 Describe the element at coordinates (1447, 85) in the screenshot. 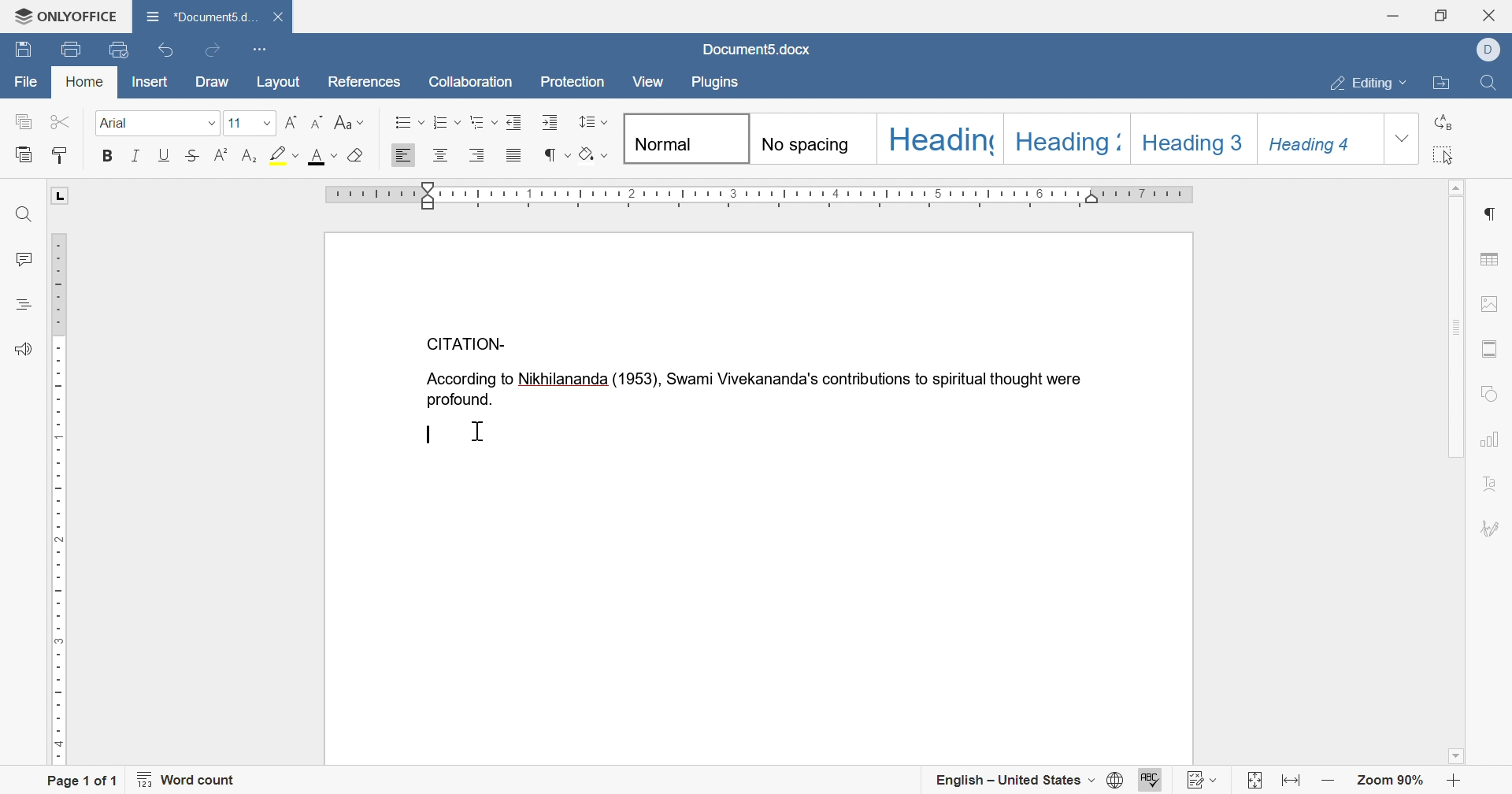

I see `open file location` at that location.